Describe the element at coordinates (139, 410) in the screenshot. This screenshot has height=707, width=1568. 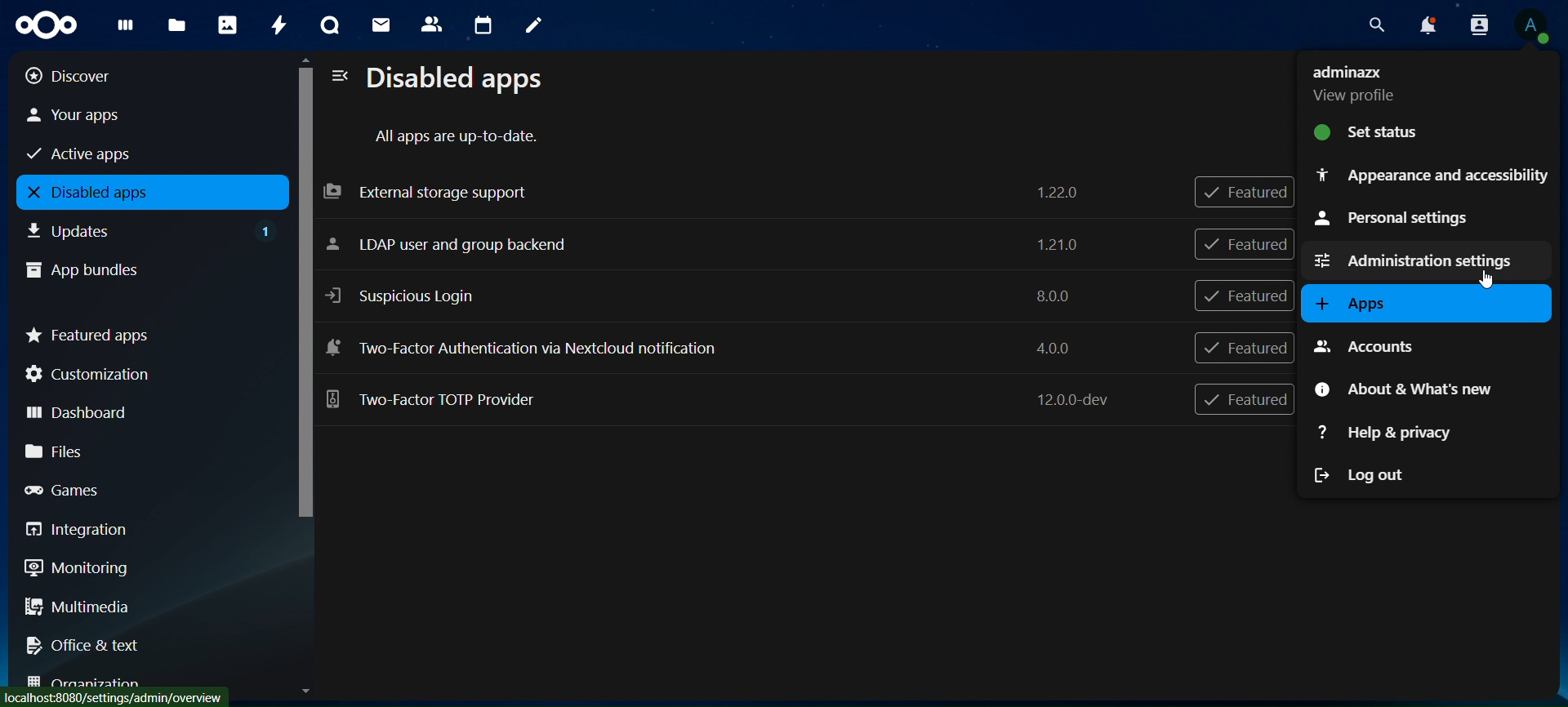
I see `dashboard` at that location.